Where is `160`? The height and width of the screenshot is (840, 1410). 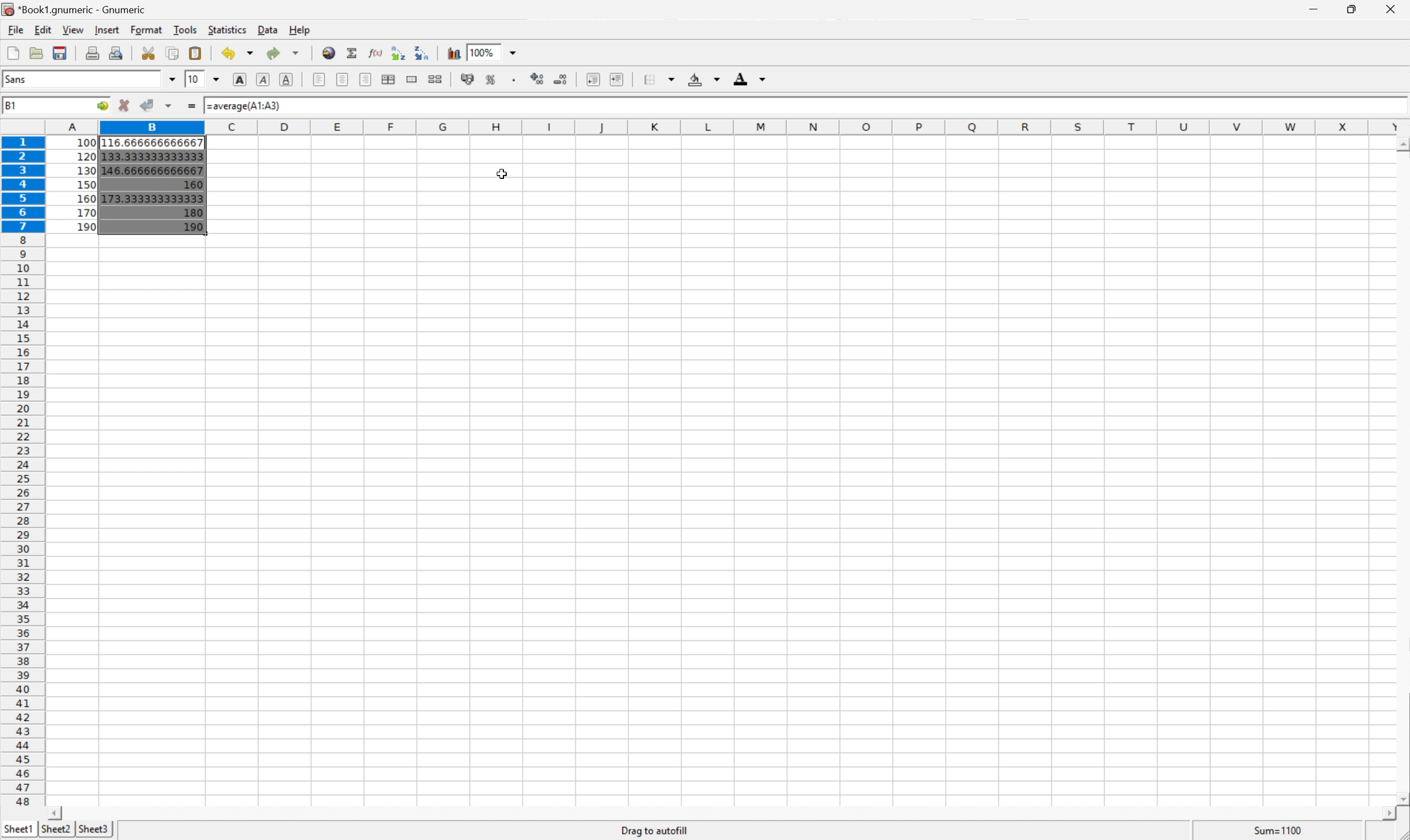 160 is located at coordinates (192, 185).